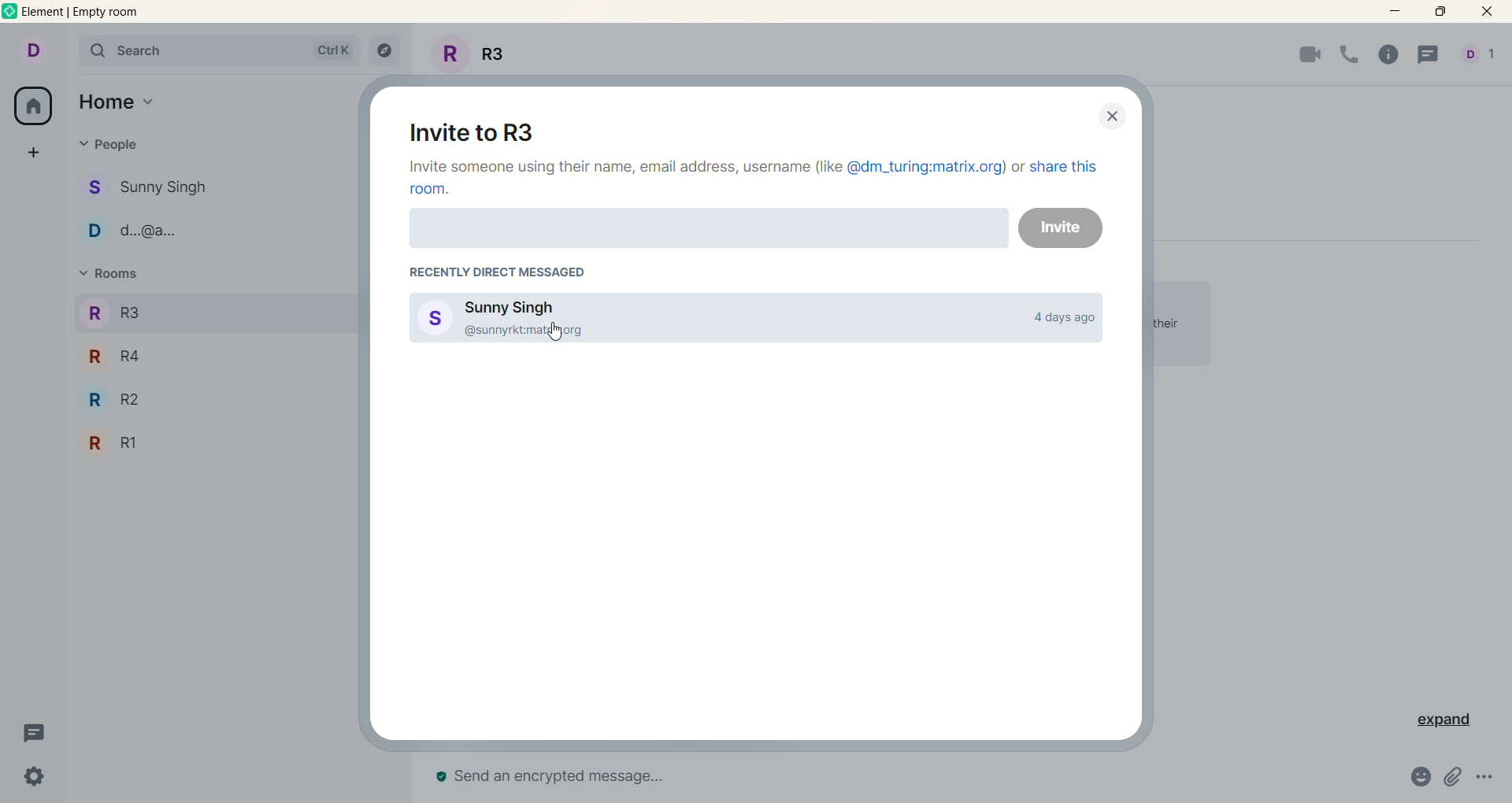 The width and height of the screenshot is (1512, 803). I want to click on Sunny Singh, so click(754, 318).